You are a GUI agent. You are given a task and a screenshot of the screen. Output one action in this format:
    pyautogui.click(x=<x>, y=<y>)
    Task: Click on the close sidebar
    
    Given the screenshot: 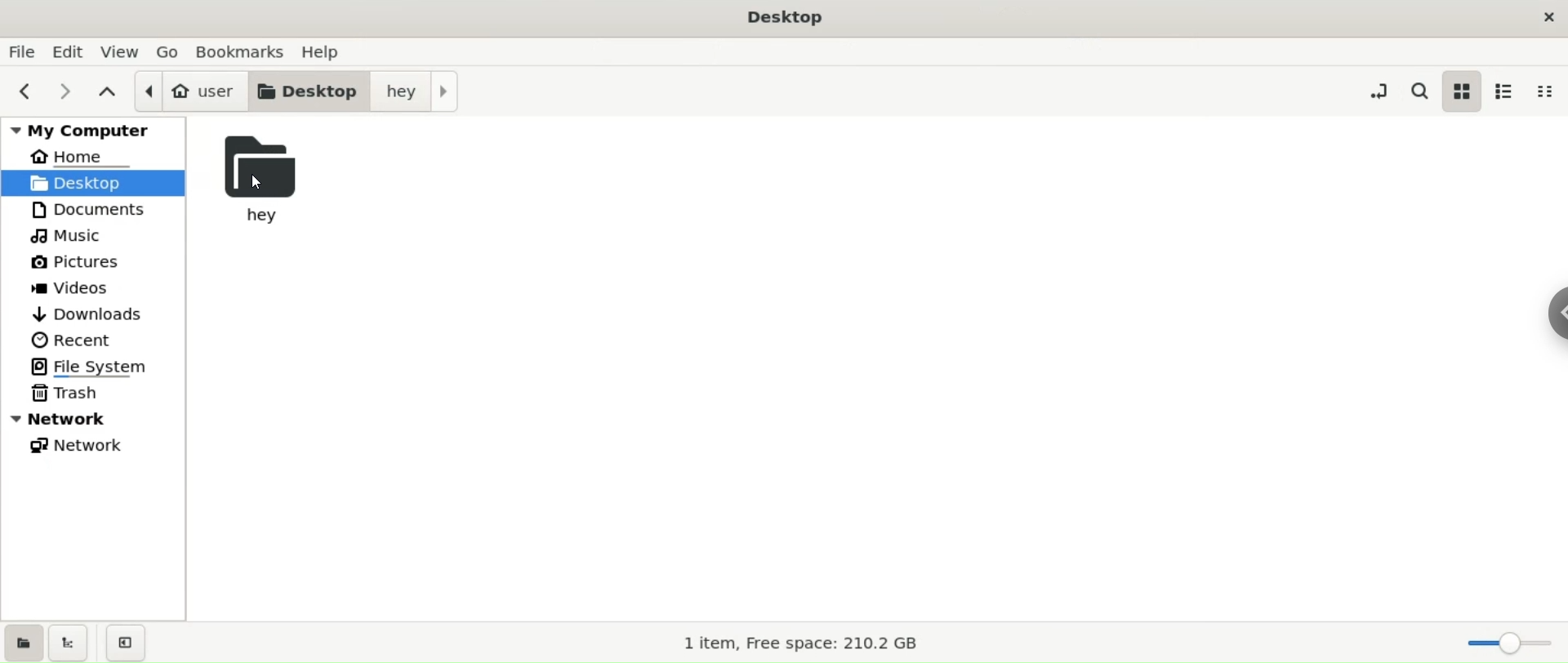 What is the action you would take?
    pyautogui.click(x=128, y=641)
    